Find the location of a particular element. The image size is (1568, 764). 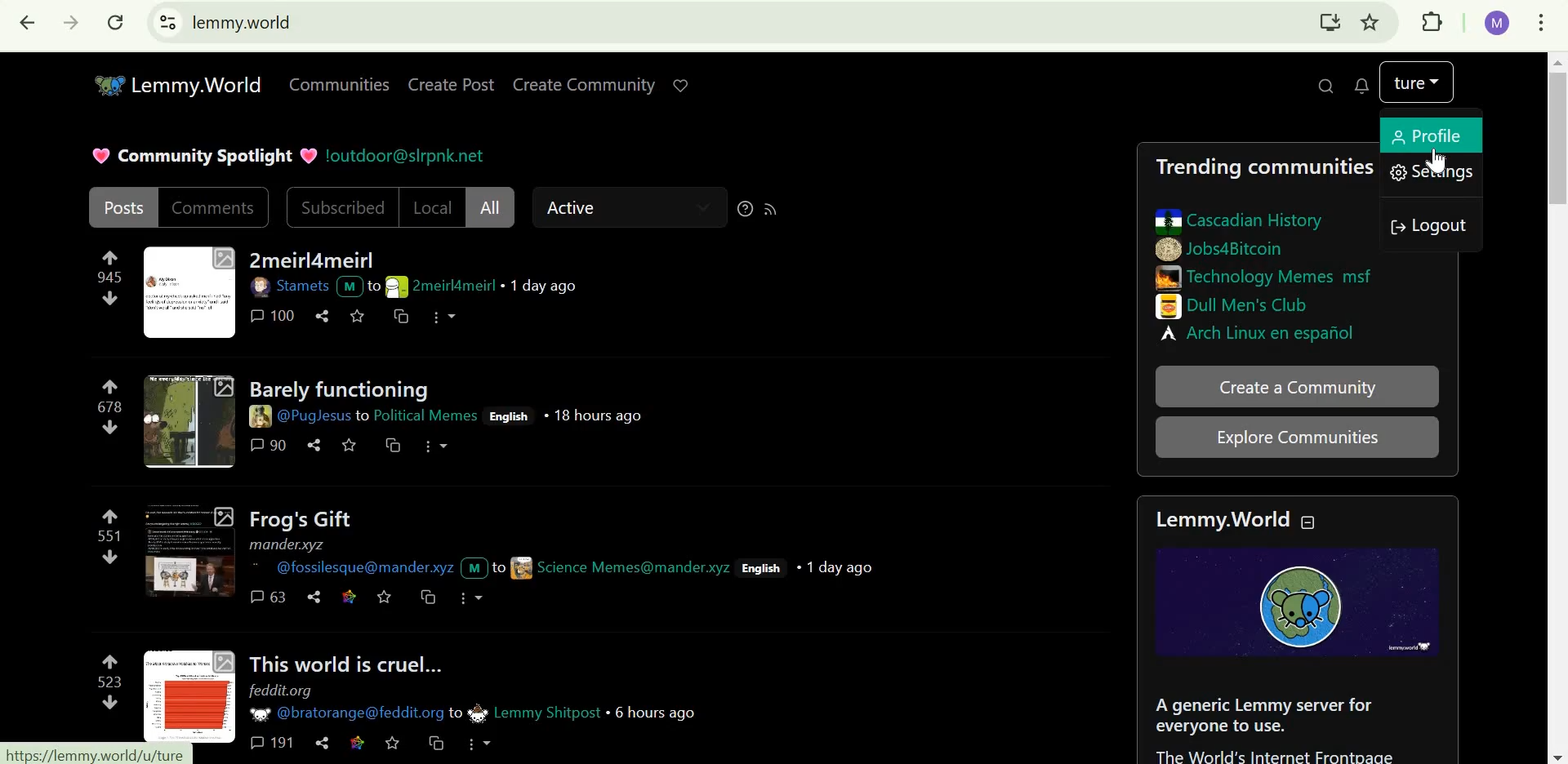

945 points is located at coordinates (107, 278).